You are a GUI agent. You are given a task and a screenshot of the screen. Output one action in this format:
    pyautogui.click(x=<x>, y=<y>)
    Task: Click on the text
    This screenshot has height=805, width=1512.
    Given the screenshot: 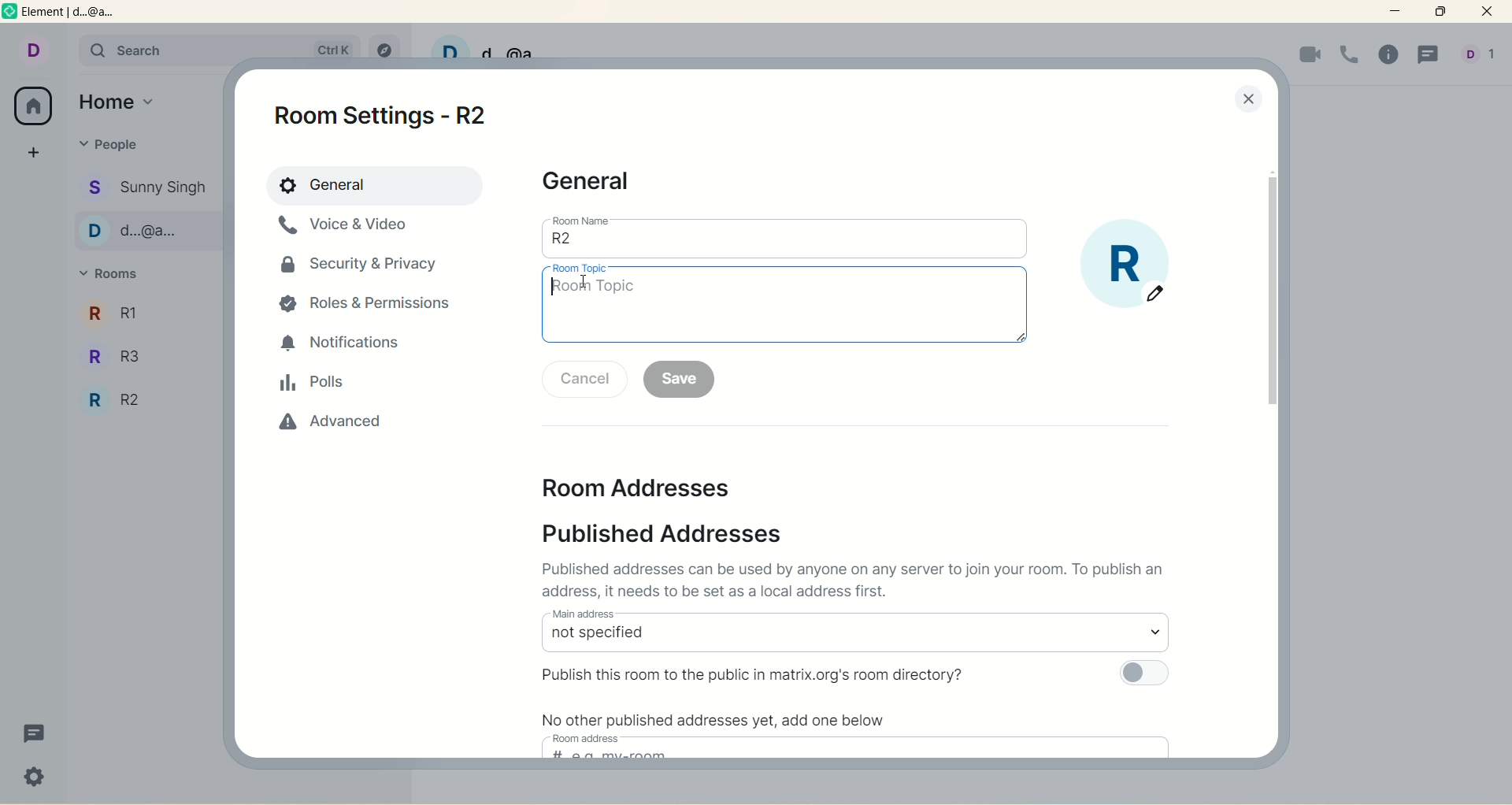 What is the action you would take?
    pyautogui.click(x=859, y=582)
    